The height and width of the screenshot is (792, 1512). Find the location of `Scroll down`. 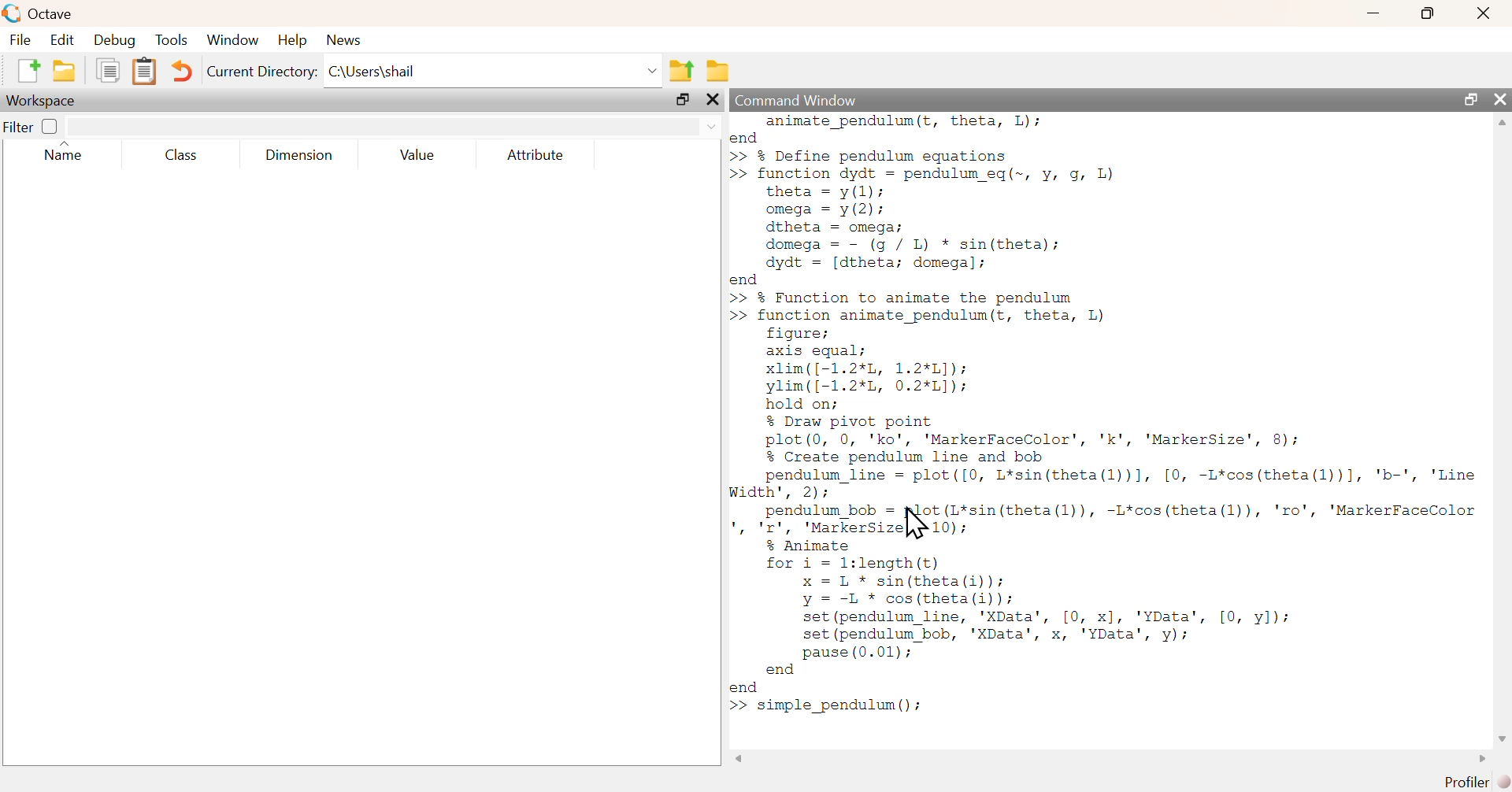

Scroll down is located at coordinates (1500, 739).